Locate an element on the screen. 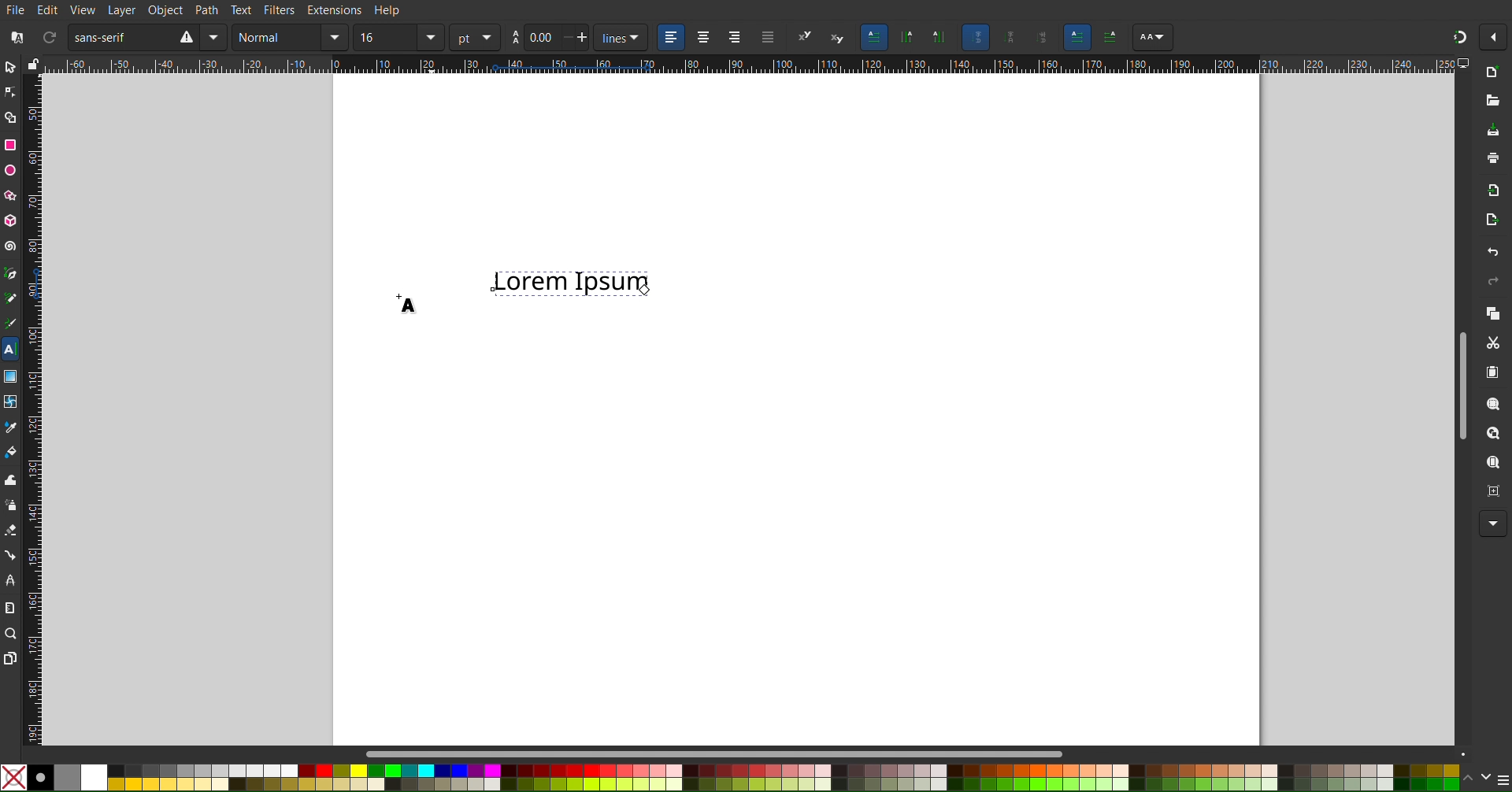 This screenshot has width=1512, height=792. Scrollbar is located at coordinates (1462, 385).